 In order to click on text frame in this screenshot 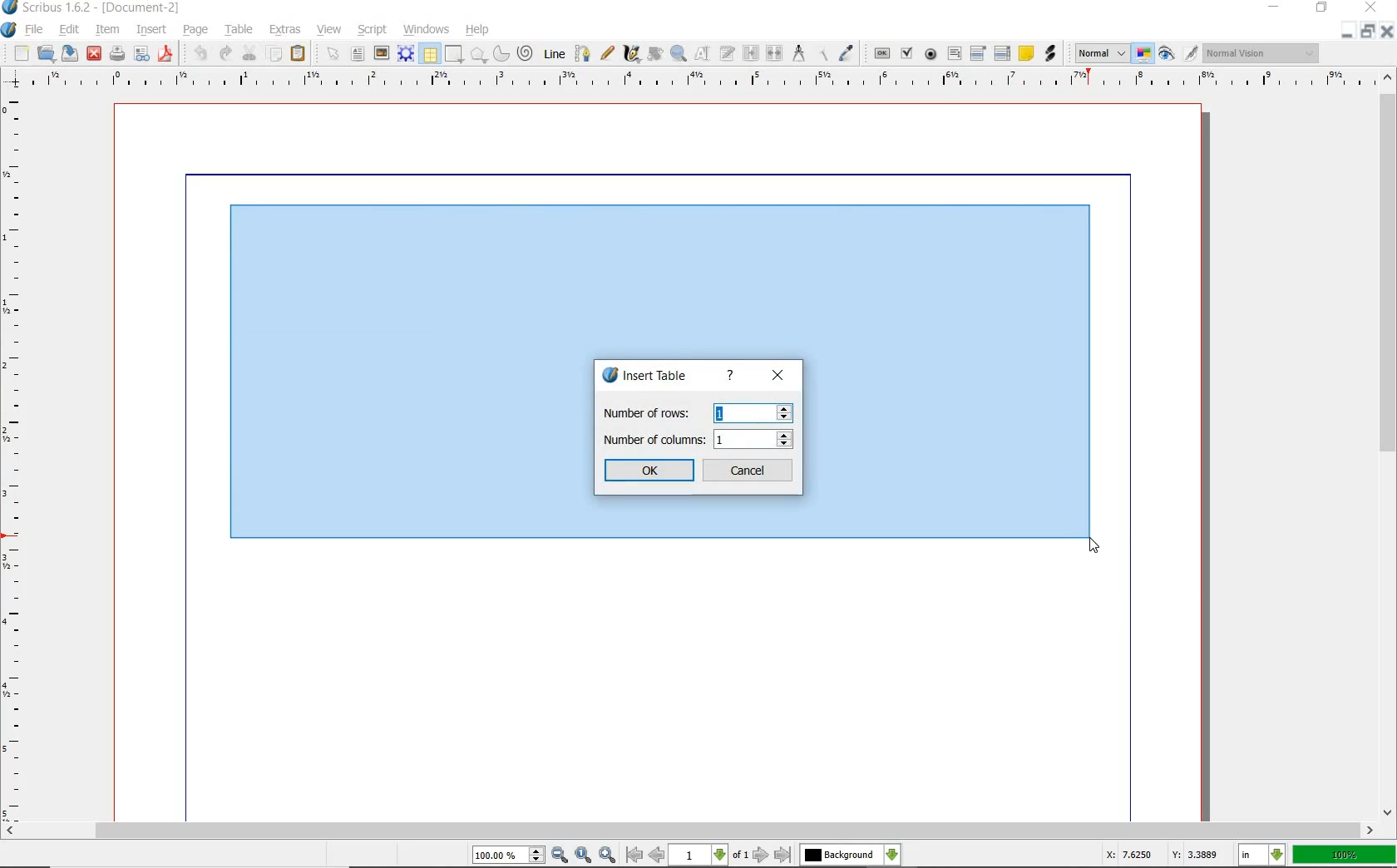, I will do `click(358, 53)`.